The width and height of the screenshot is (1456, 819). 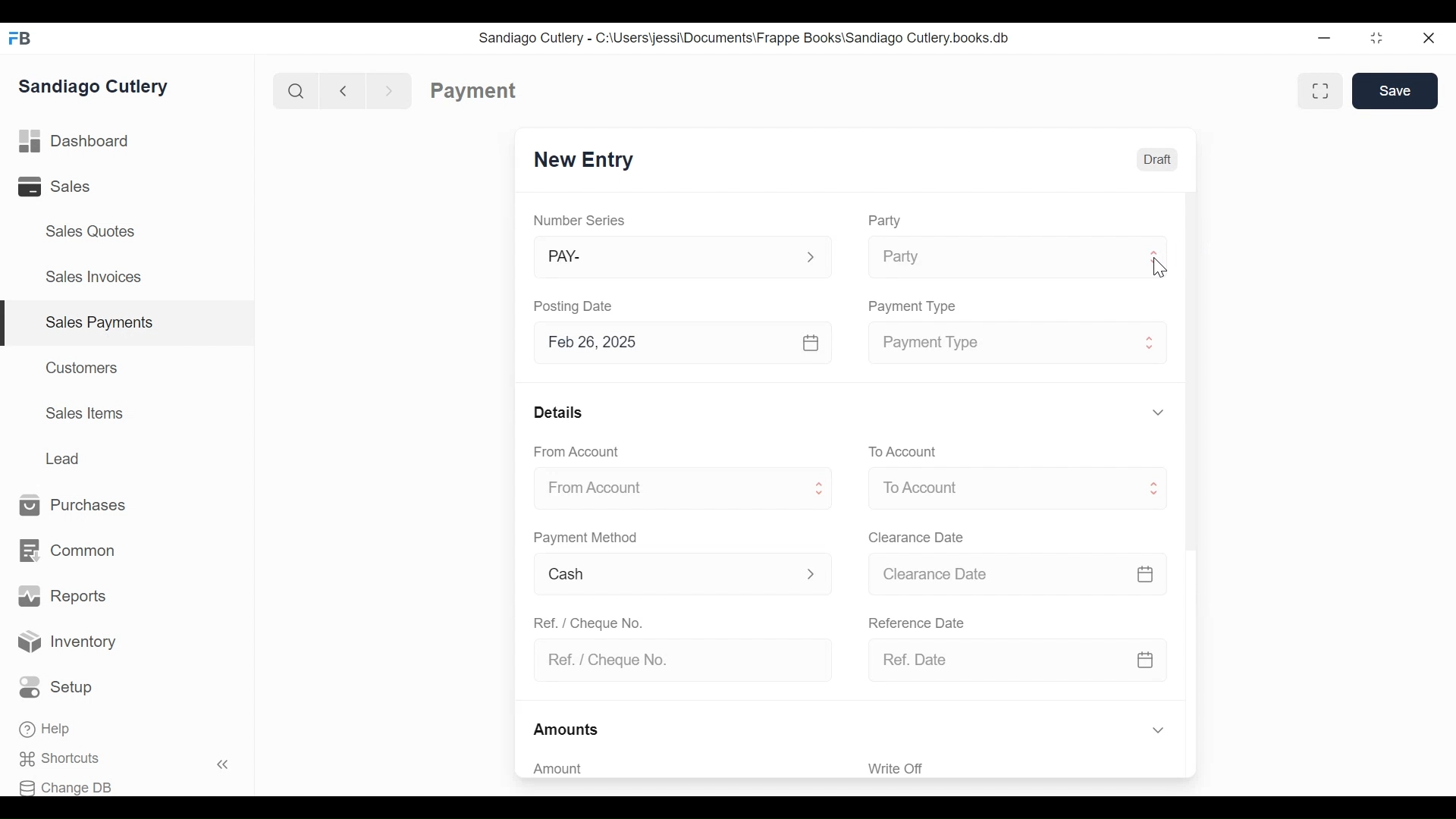 What do you see at coordinates (578, 452) in the screenshot?
I see `From Account` at bounding box center [578, 452].